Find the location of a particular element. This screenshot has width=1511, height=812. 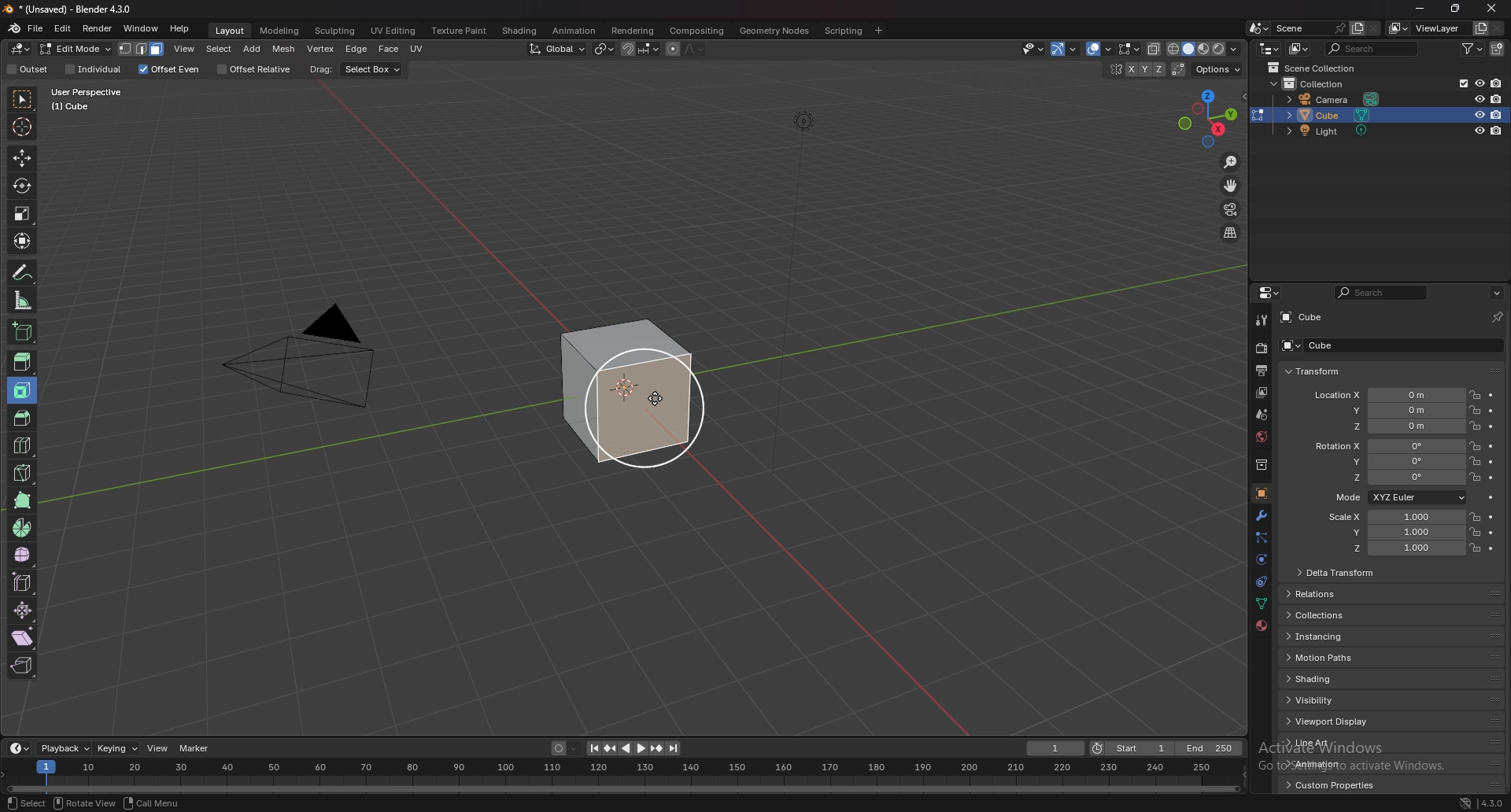

lock is located at coordinates (1475, 548).